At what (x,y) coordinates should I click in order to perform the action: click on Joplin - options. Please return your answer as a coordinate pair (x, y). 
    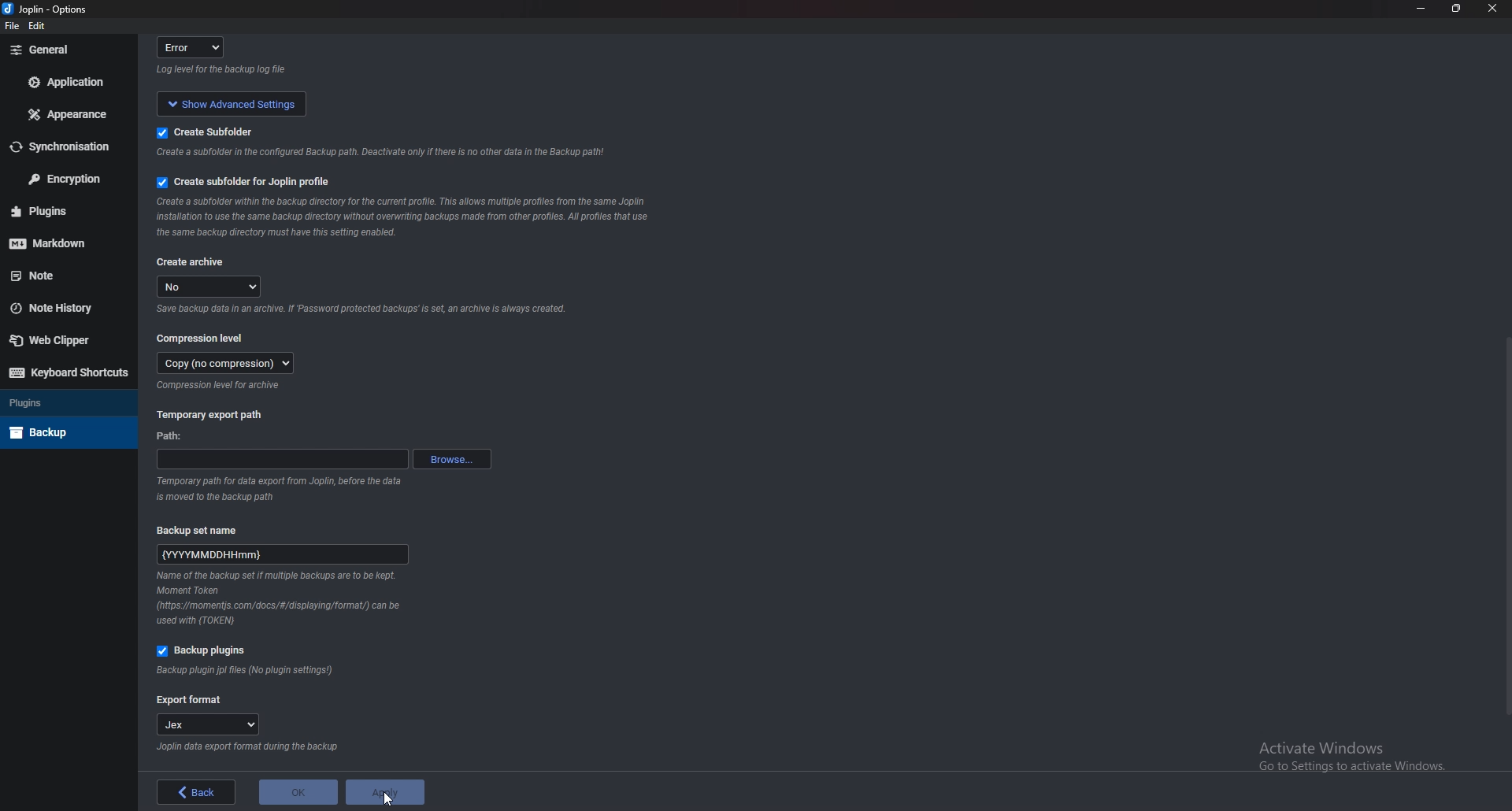
    Looking at the image, I should click on (48, 10).